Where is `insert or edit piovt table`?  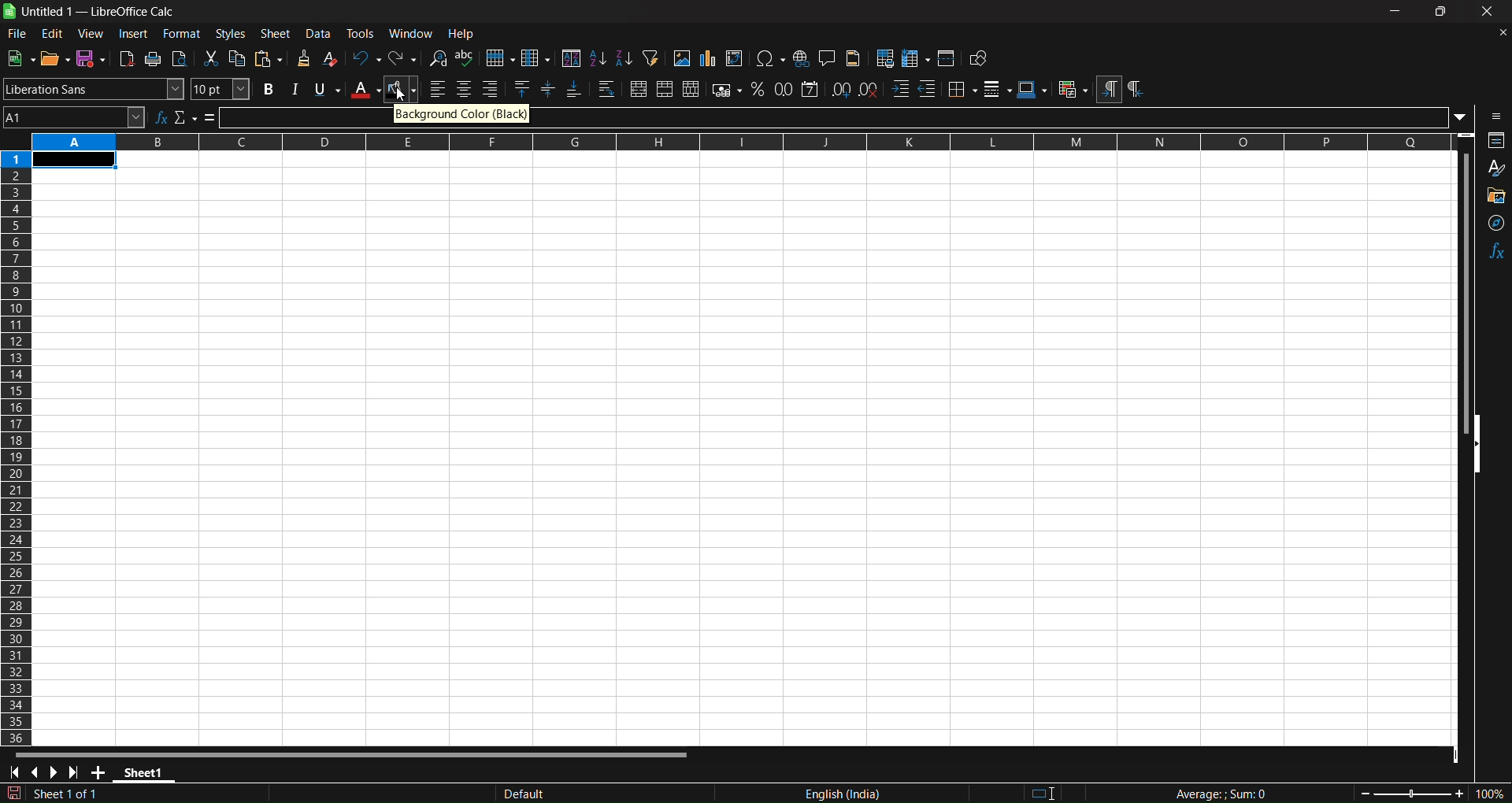 insert or edit piovt table is located at coordinates (734, 57).